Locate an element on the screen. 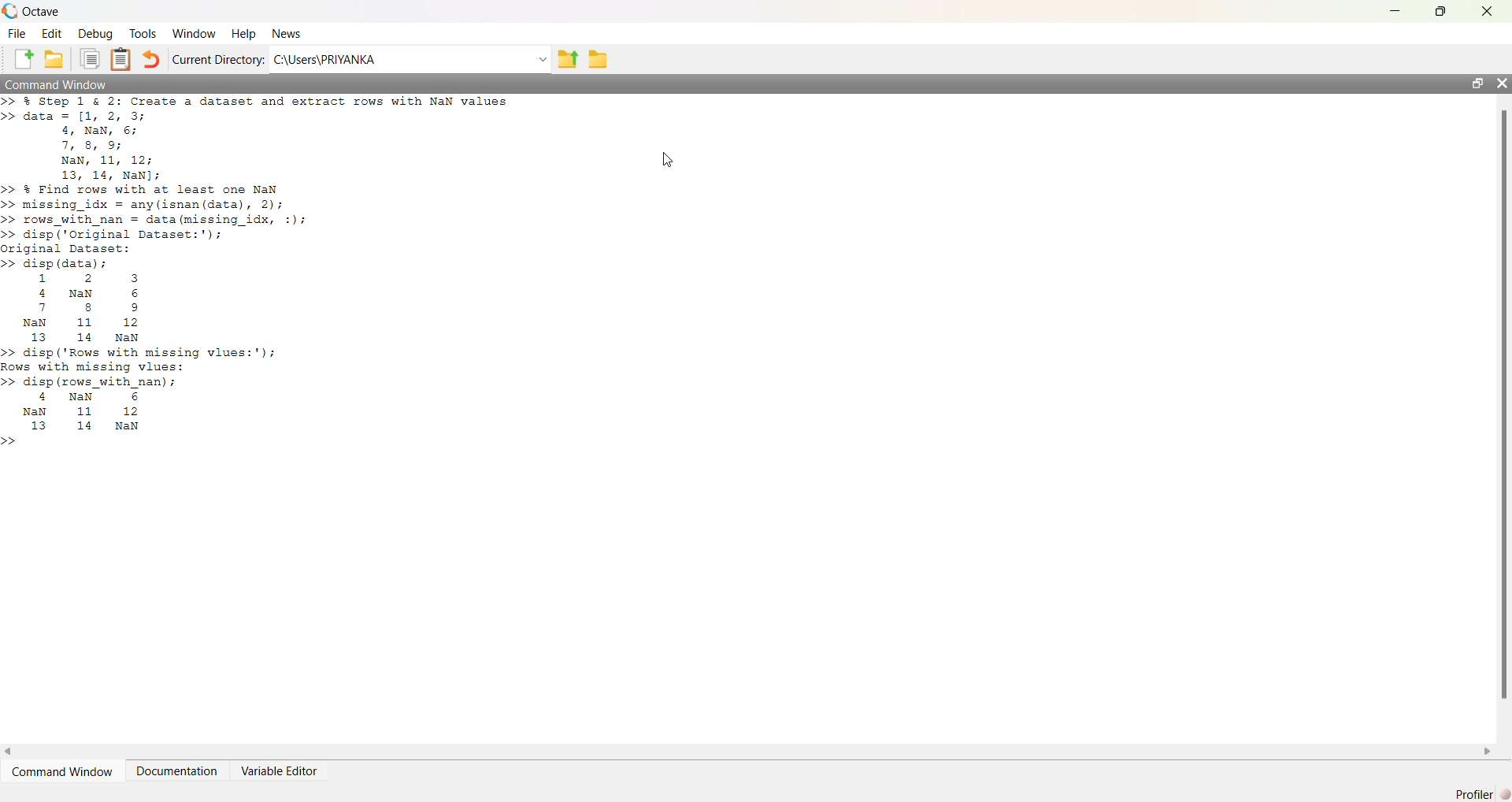 This screenshot has width=1512, height=802. C:\Users\PRIYANKA is located at coordinates (324, 59).